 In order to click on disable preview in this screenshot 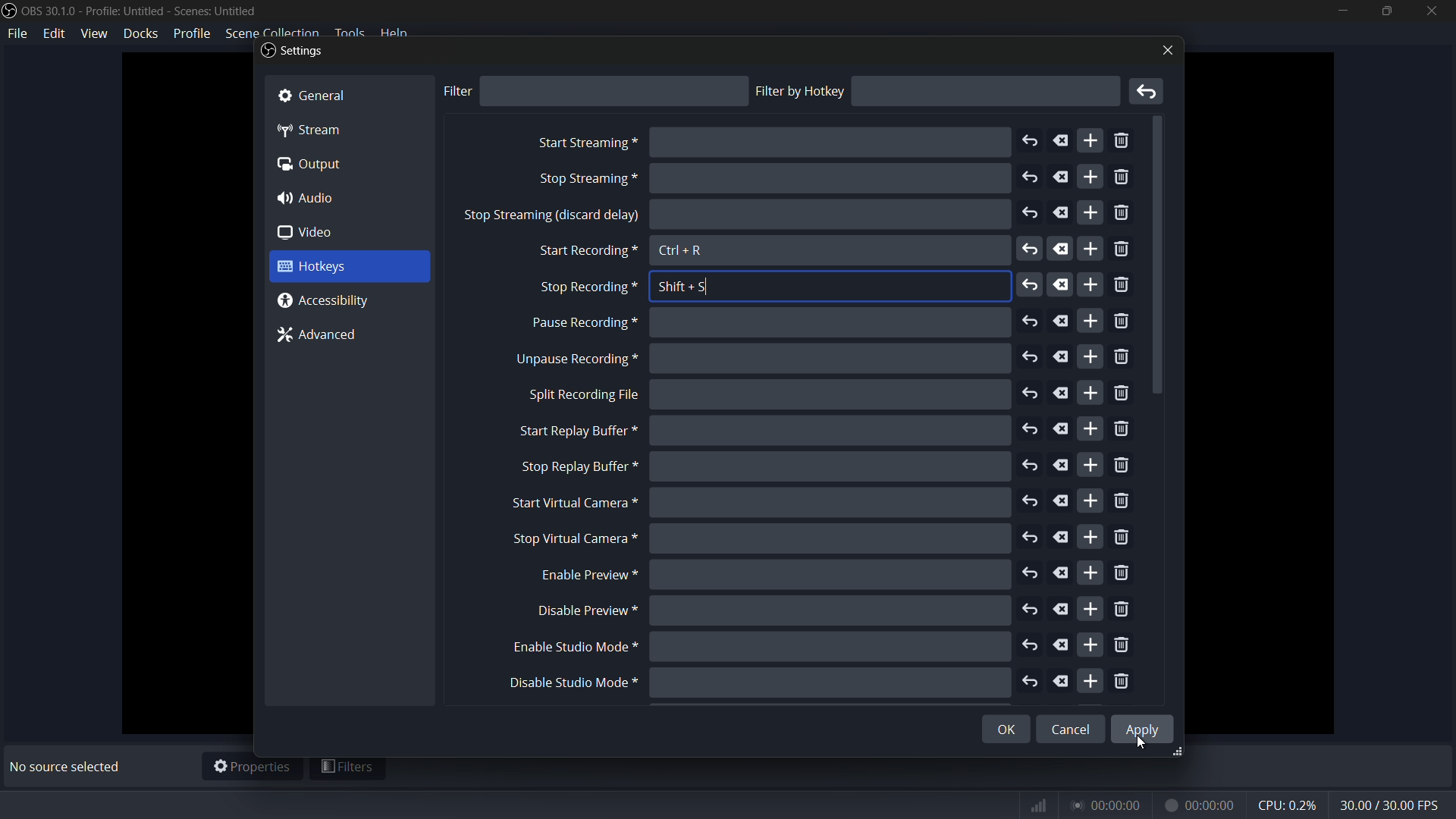, I will do `click(588, 610)`.